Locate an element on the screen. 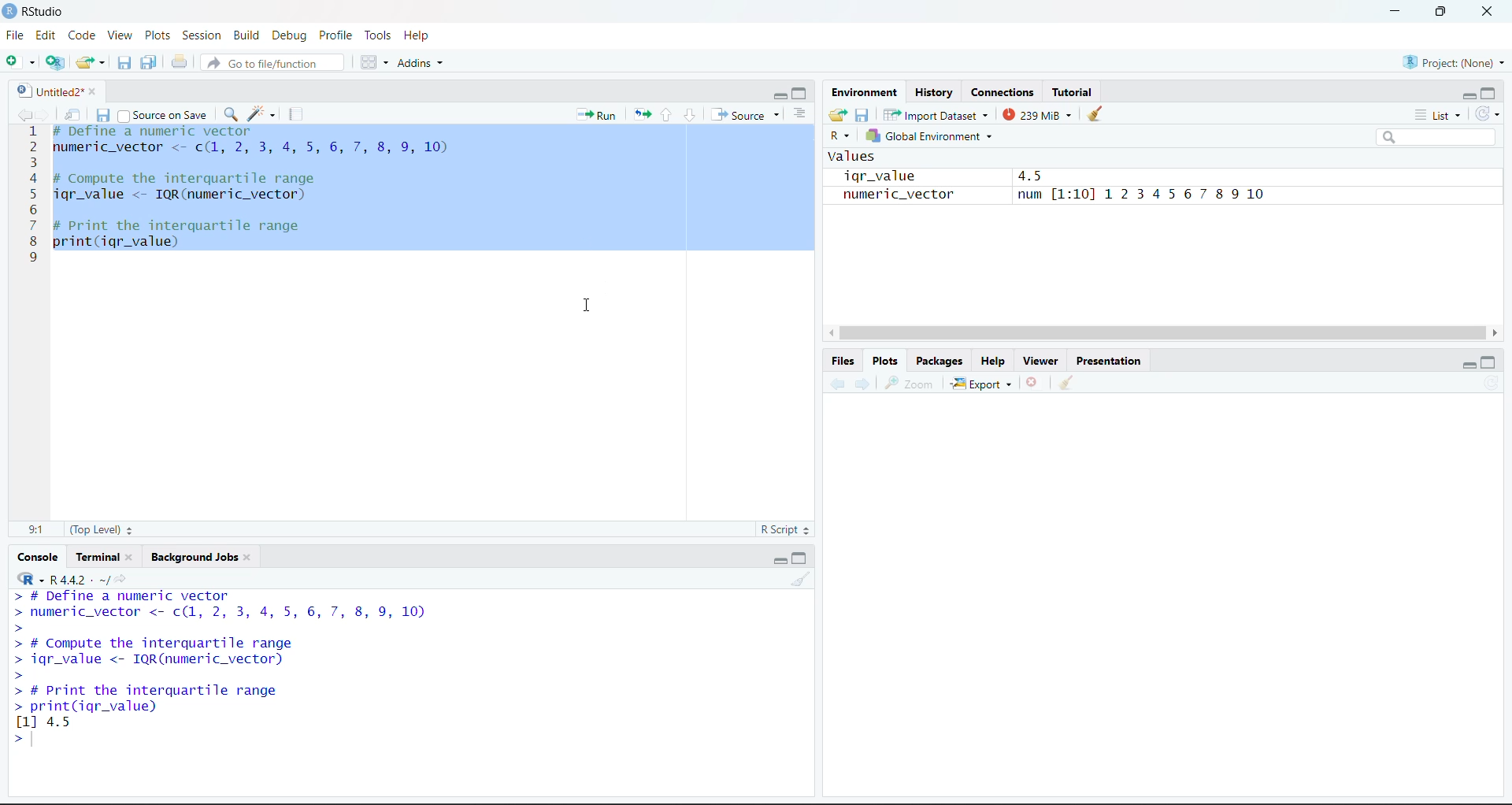 The image size is (1512, 805). R is located at coordinates (29, 579).